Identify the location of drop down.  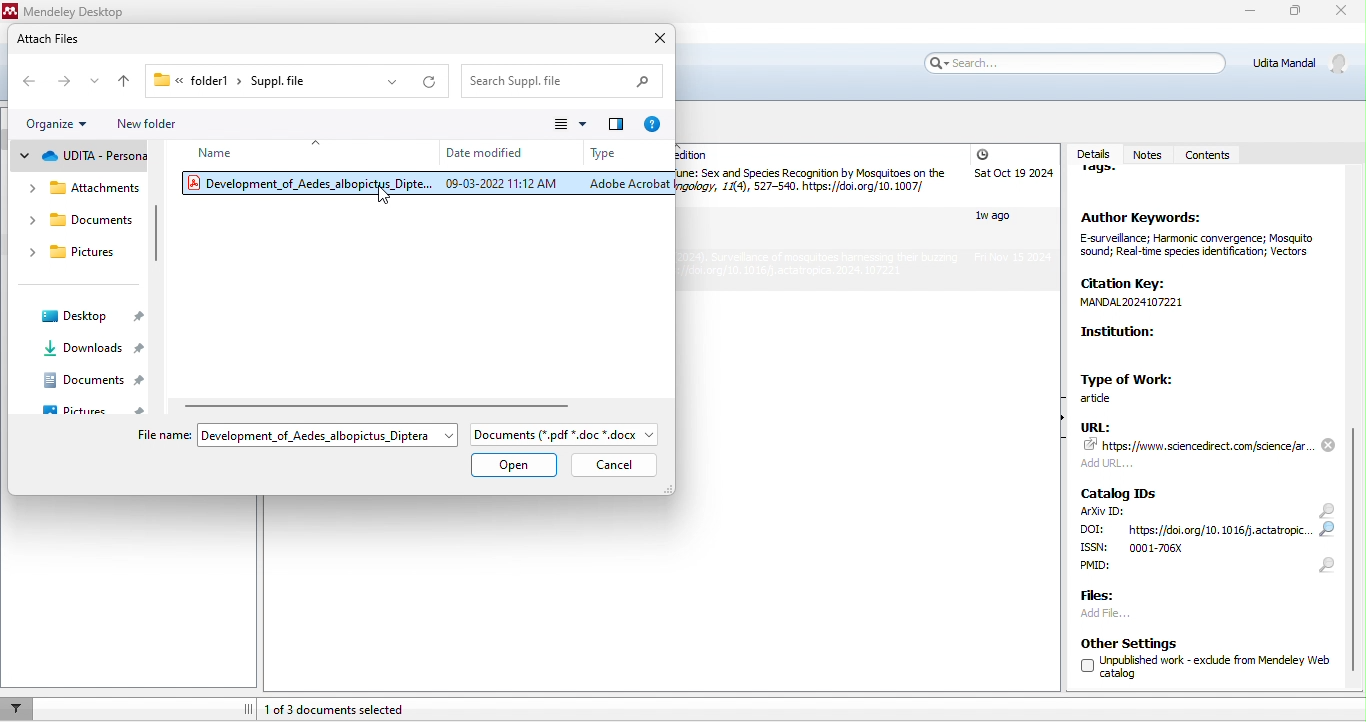
(92, 79).